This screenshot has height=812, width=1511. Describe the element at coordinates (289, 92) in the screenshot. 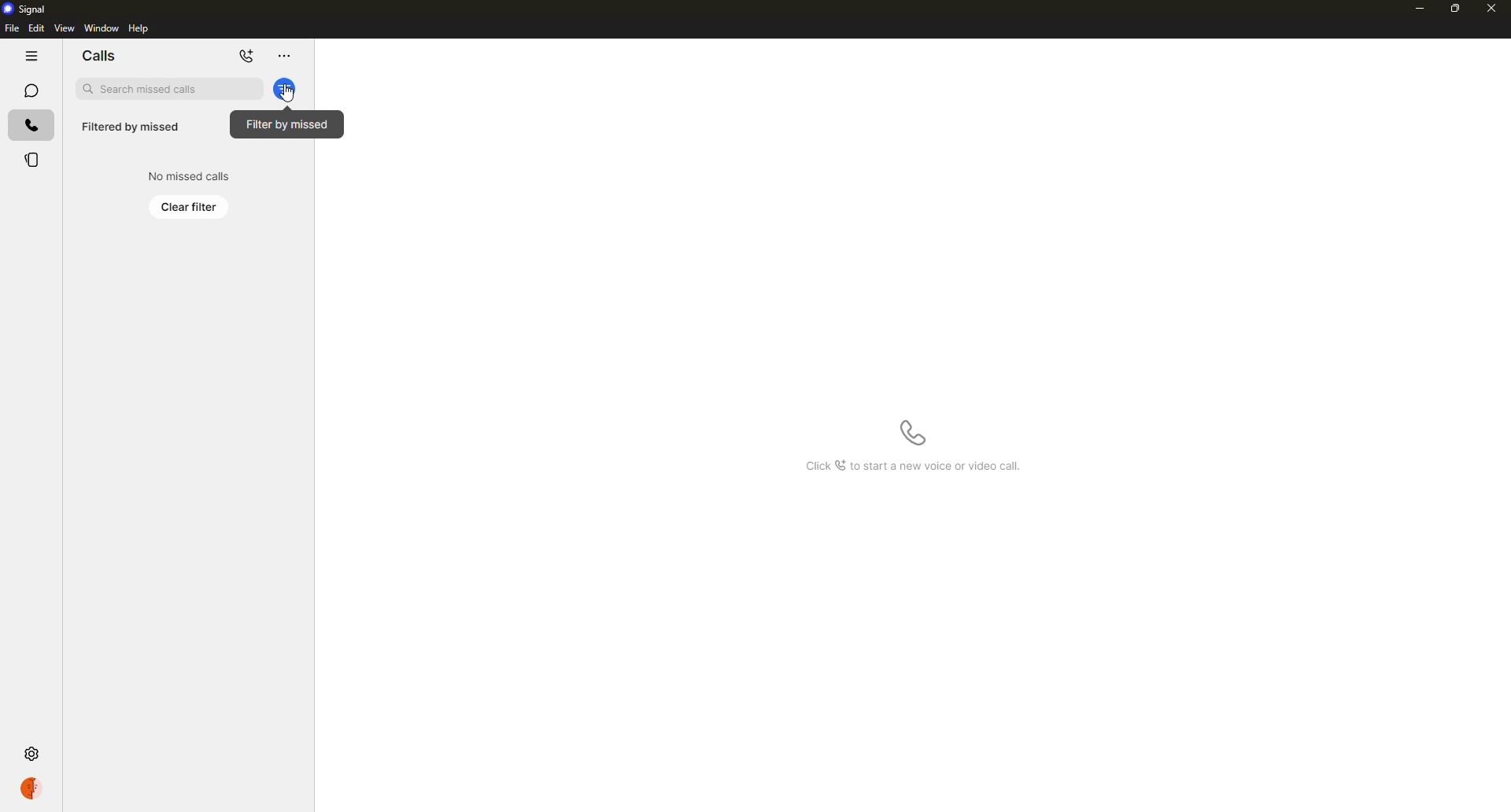

I see `filter by missed` at that location.